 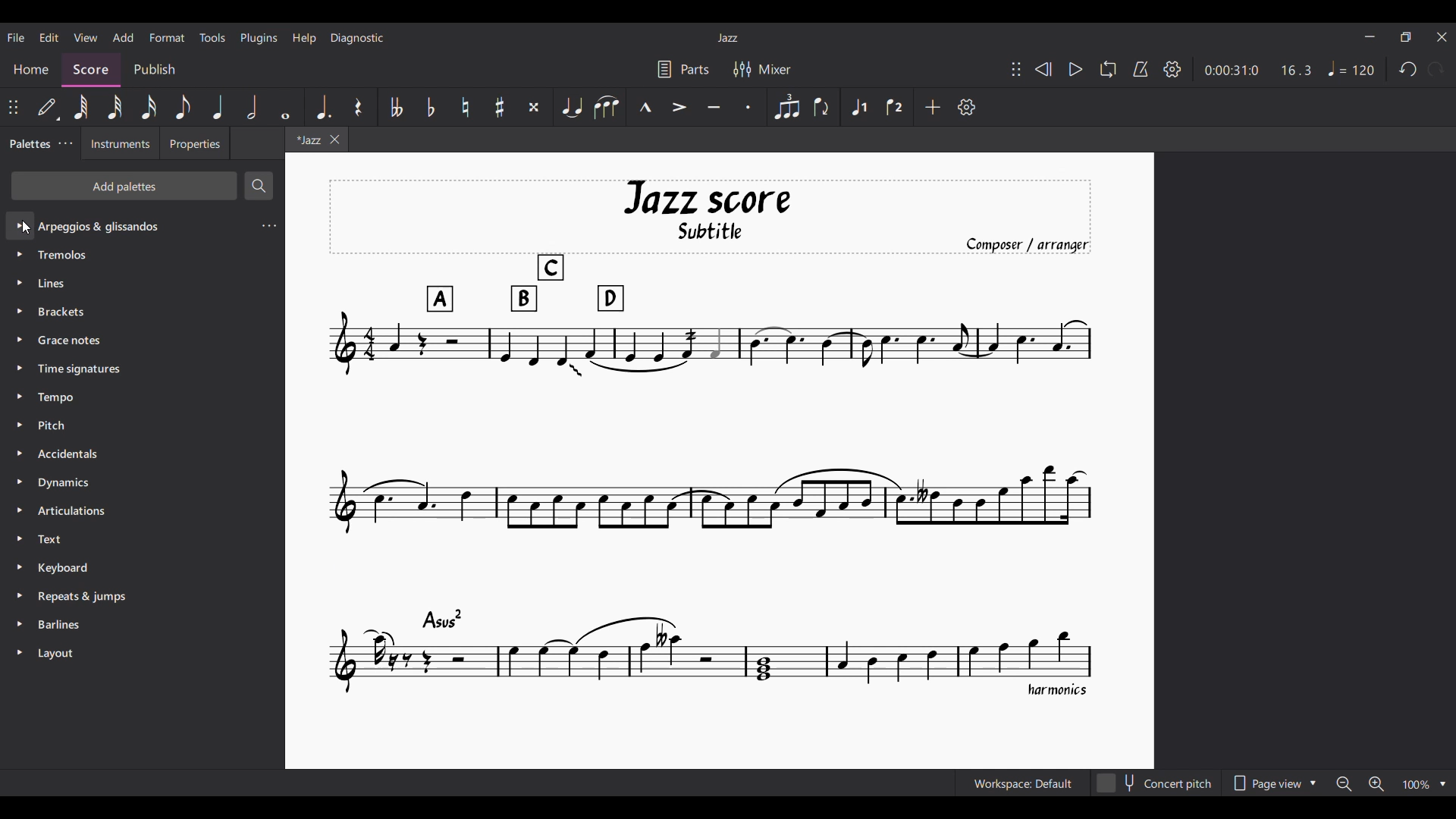 What do you see at coordinates (570, 107) in the screenshot?
I see `Tie` at bounding box center [570, 107].